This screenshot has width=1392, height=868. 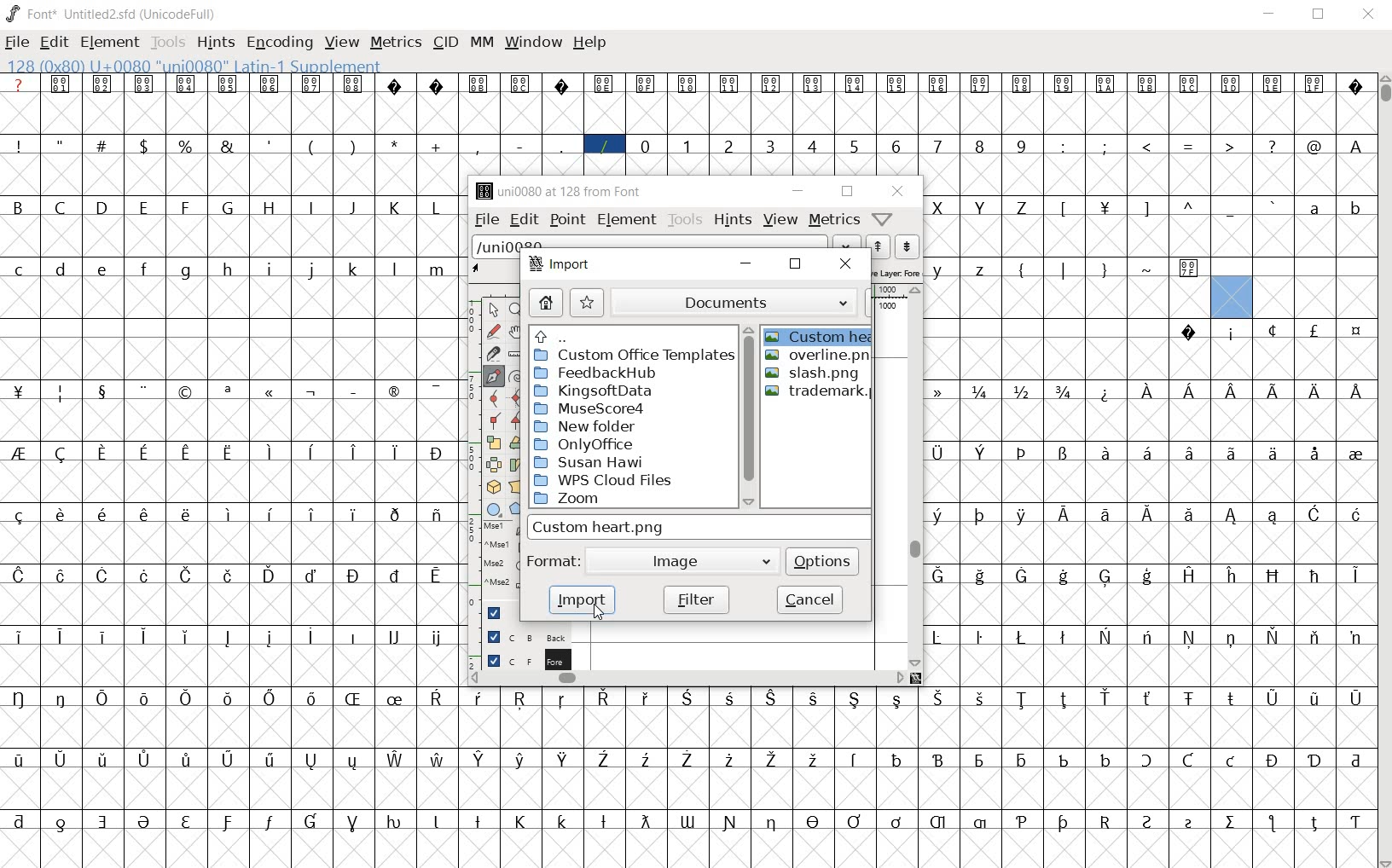 I want to click on glyph, so click(x=104, y=759).